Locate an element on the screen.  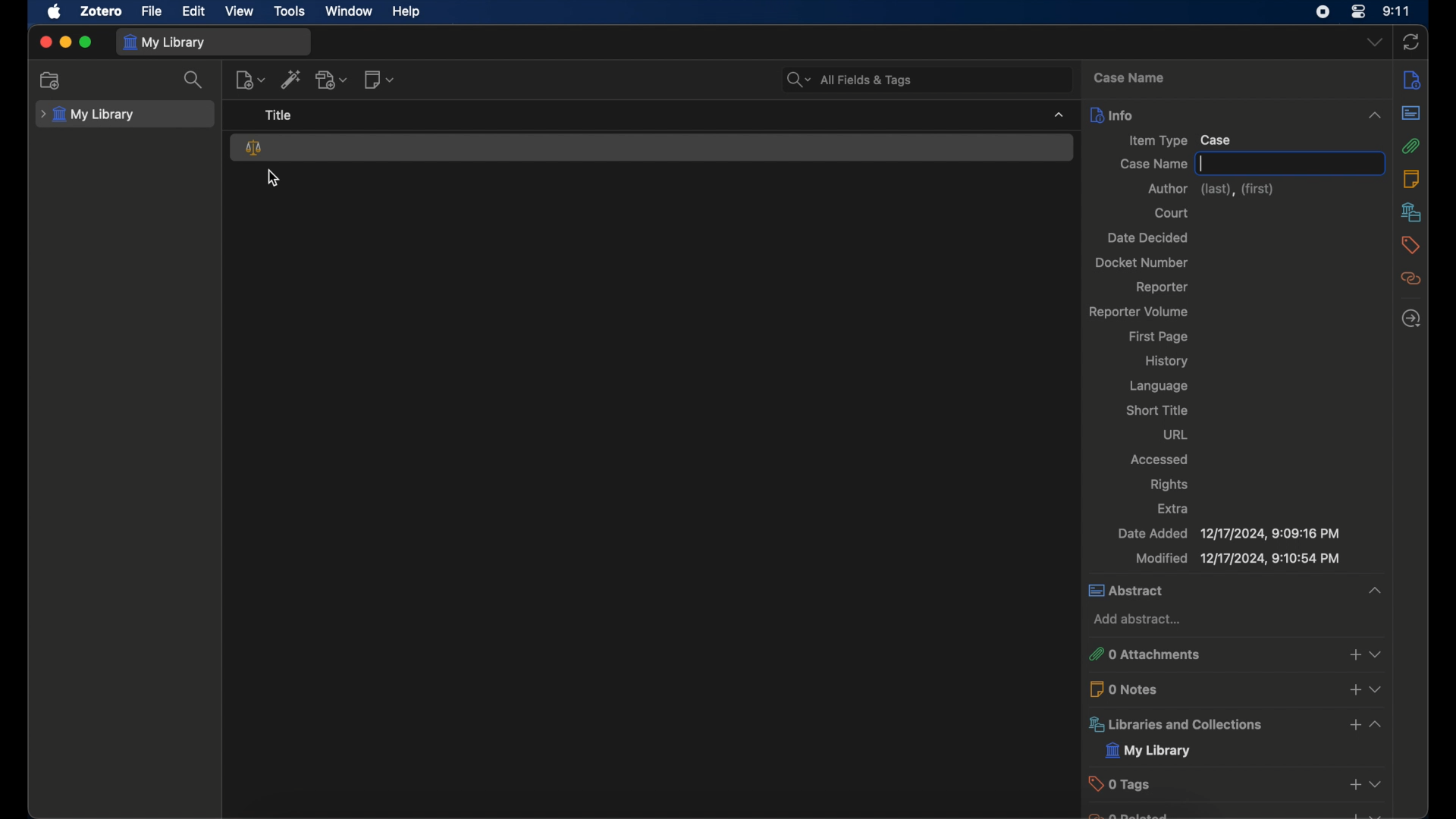
notes is located at coordinates (1410, 180).